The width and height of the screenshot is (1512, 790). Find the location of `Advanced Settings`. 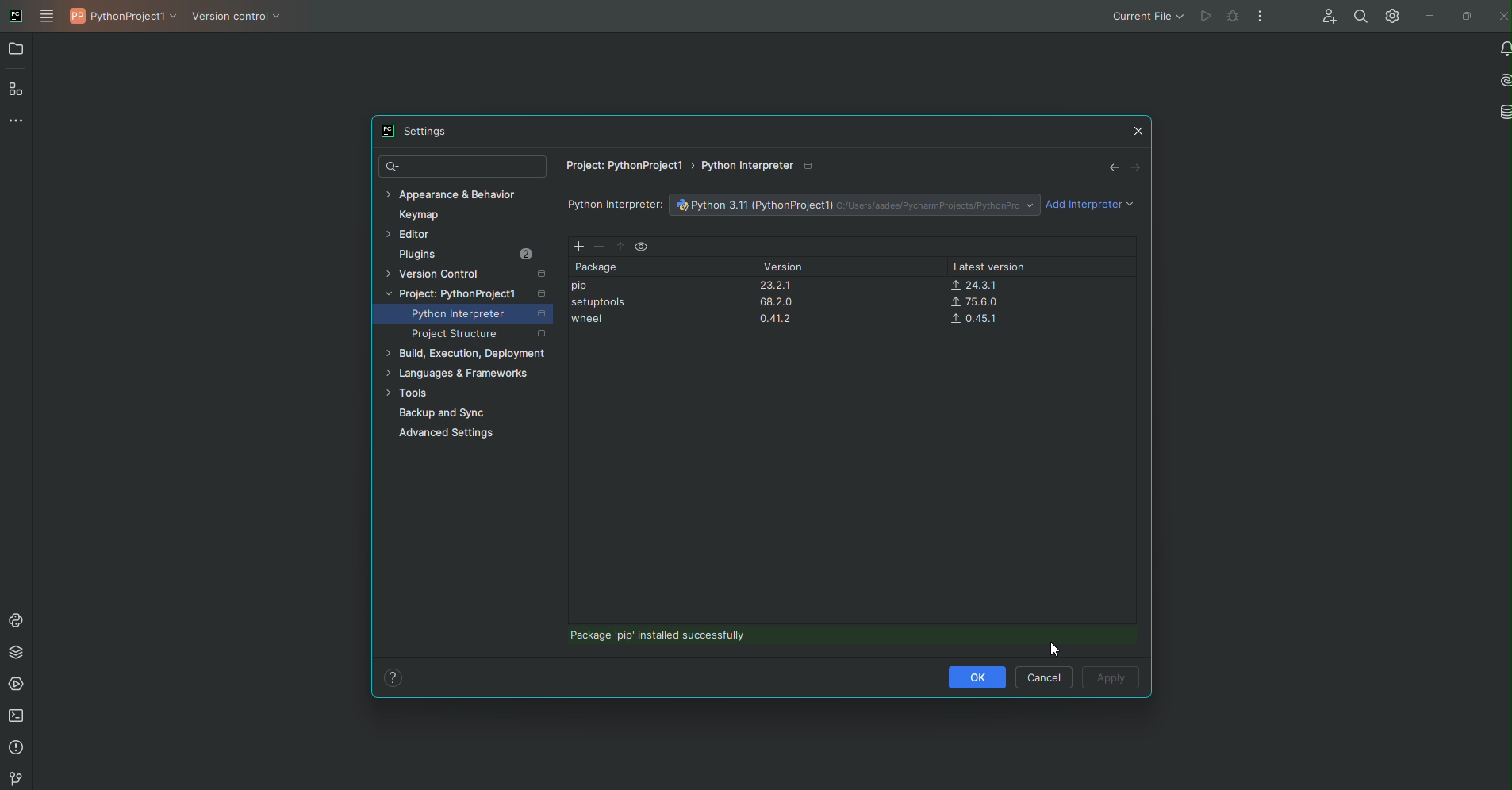

Advanced Settings is located at coordinates (451, 436).